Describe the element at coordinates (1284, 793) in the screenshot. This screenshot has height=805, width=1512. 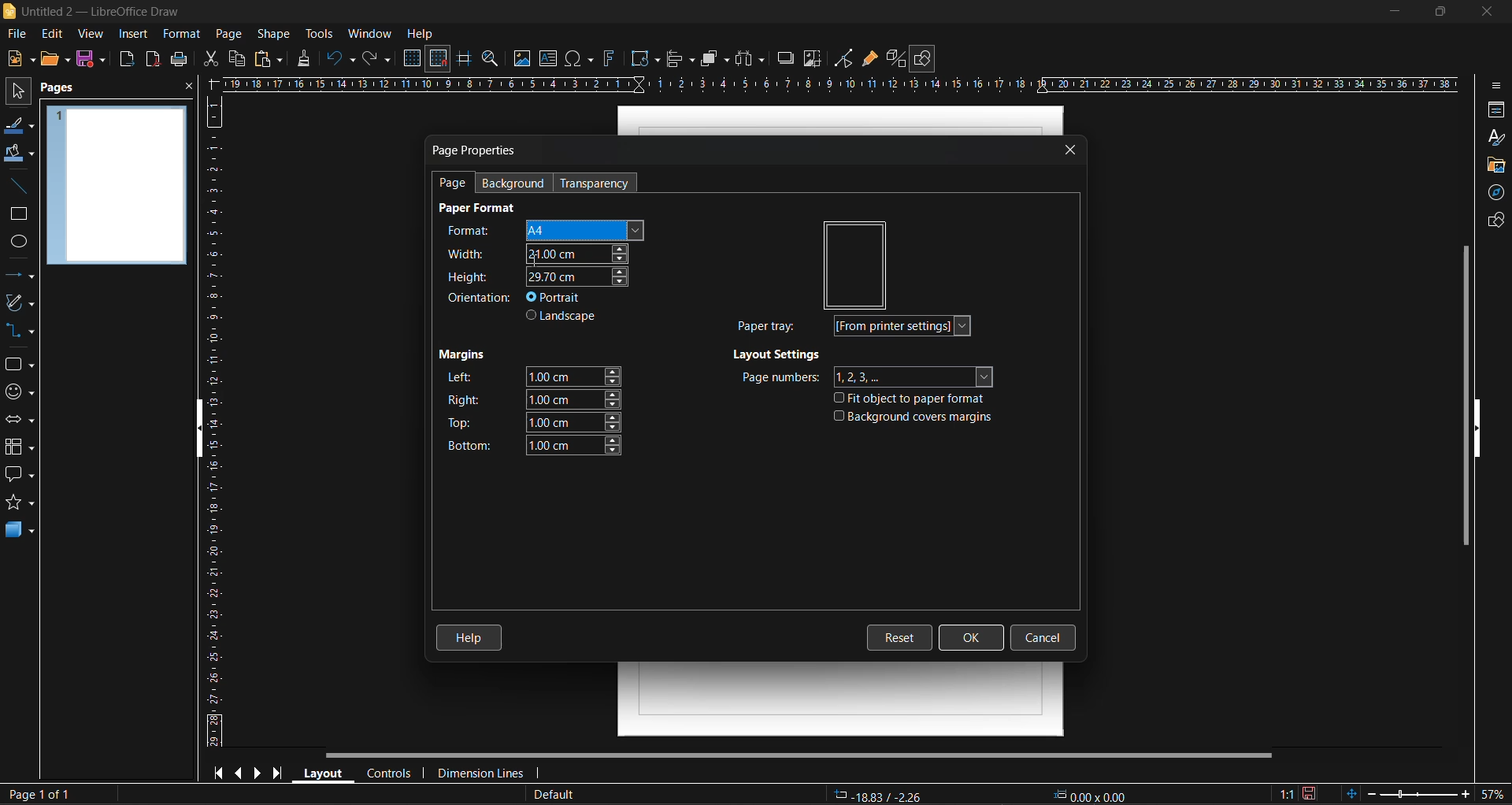
I see `scaling factor` at that location.